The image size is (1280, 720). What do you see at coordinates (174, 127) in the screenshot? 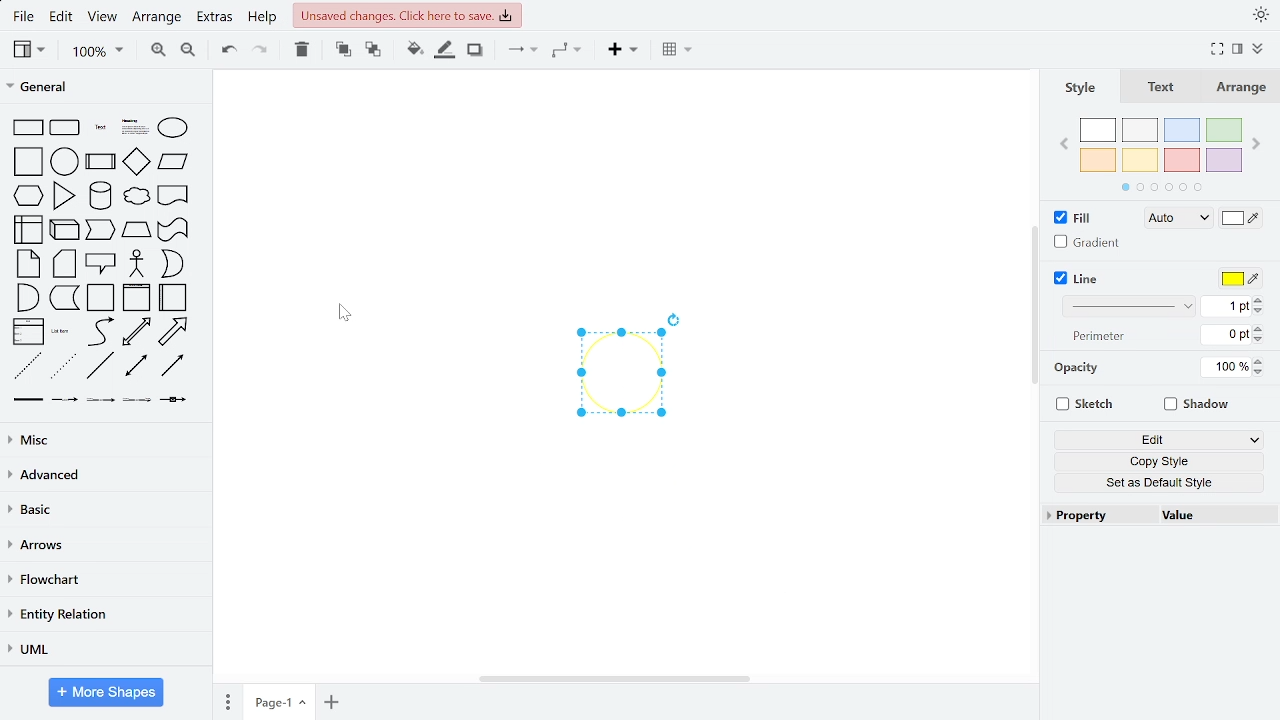
I see `ellipse` at bounding box center [174, 127].